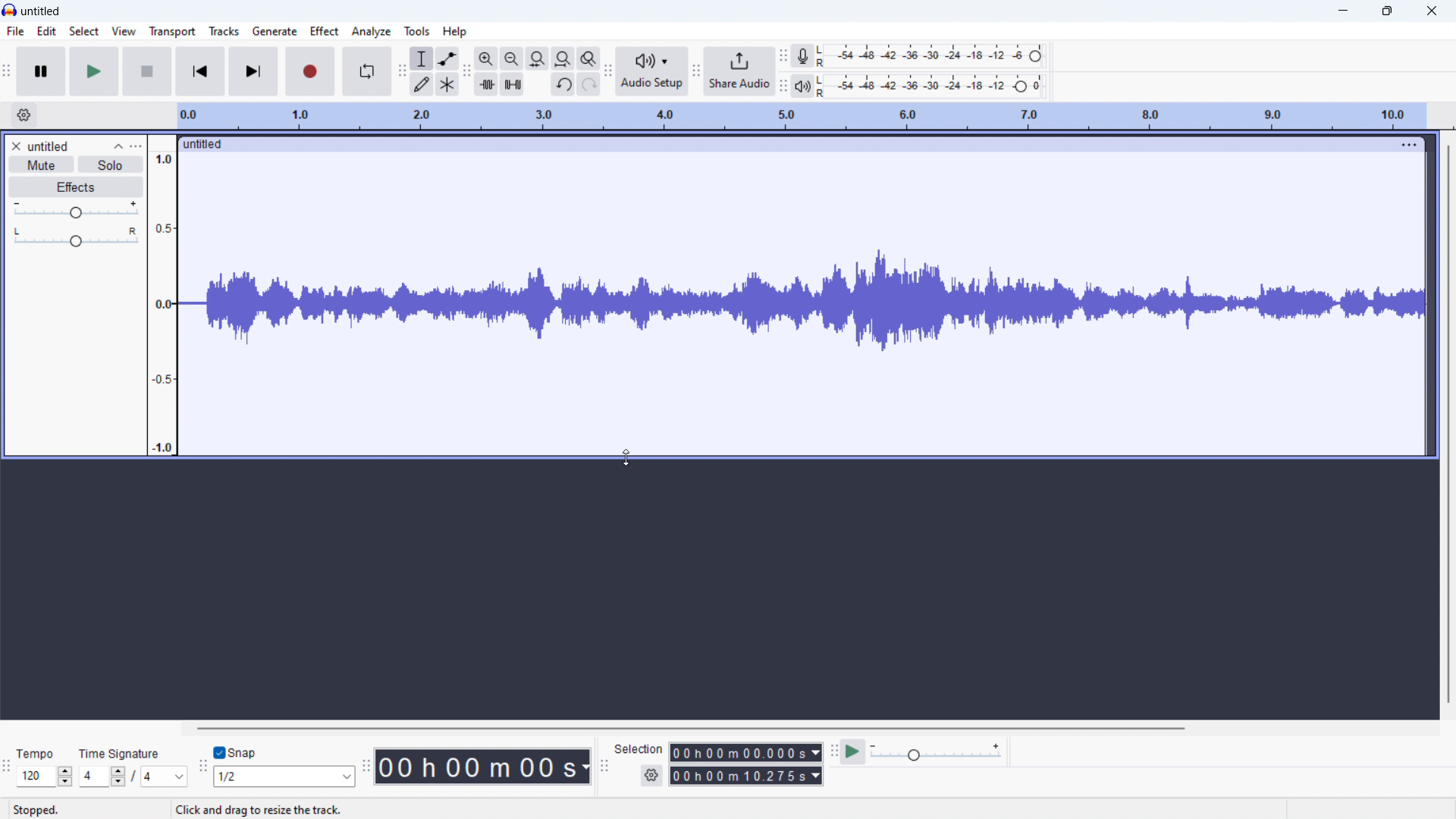  I want to click on track options, so click(1407, 145).